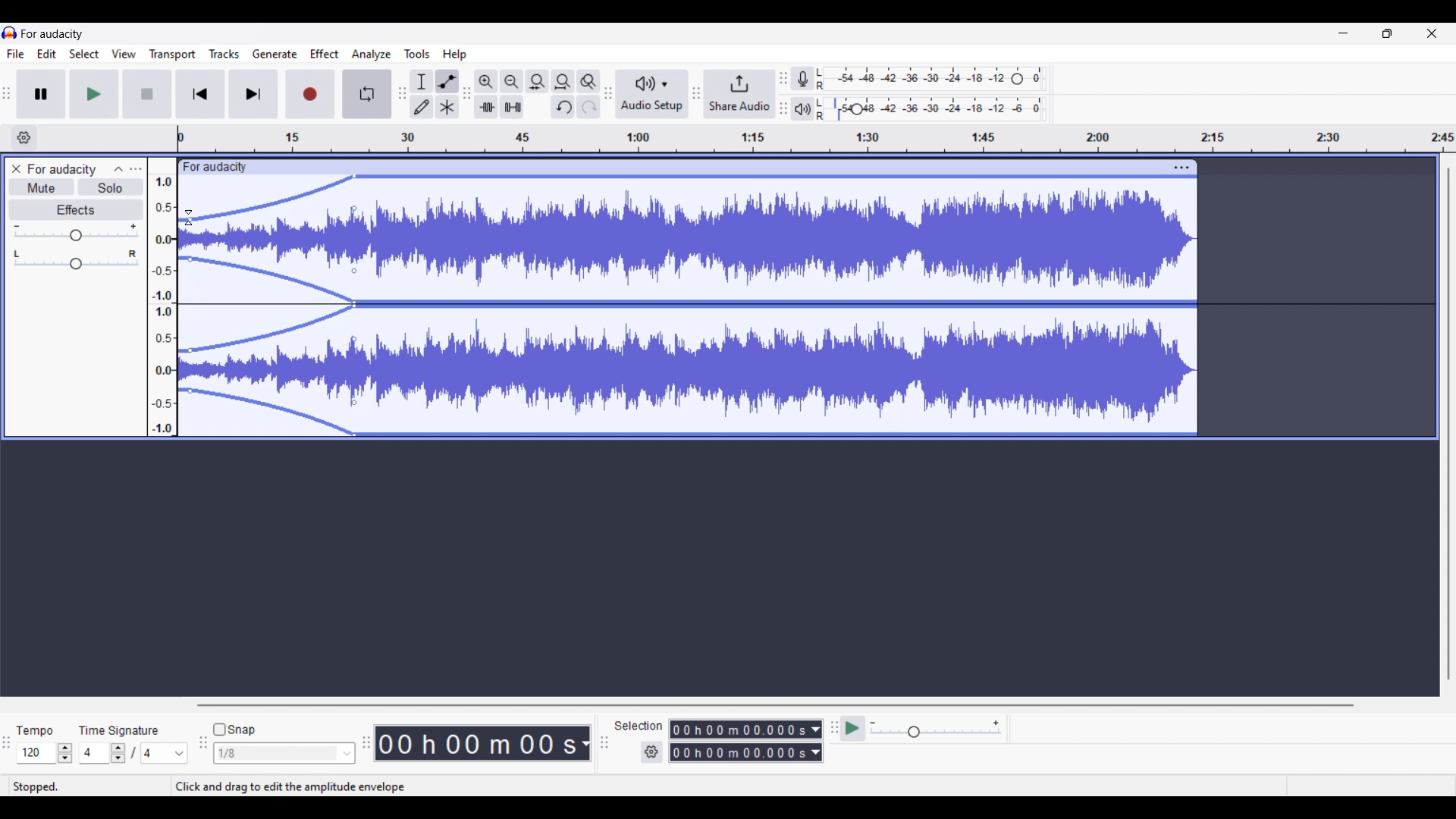  What do you see at coordinates (563, 107) in the screenshot?
I see `Undo` at bounding box center [563, 107].